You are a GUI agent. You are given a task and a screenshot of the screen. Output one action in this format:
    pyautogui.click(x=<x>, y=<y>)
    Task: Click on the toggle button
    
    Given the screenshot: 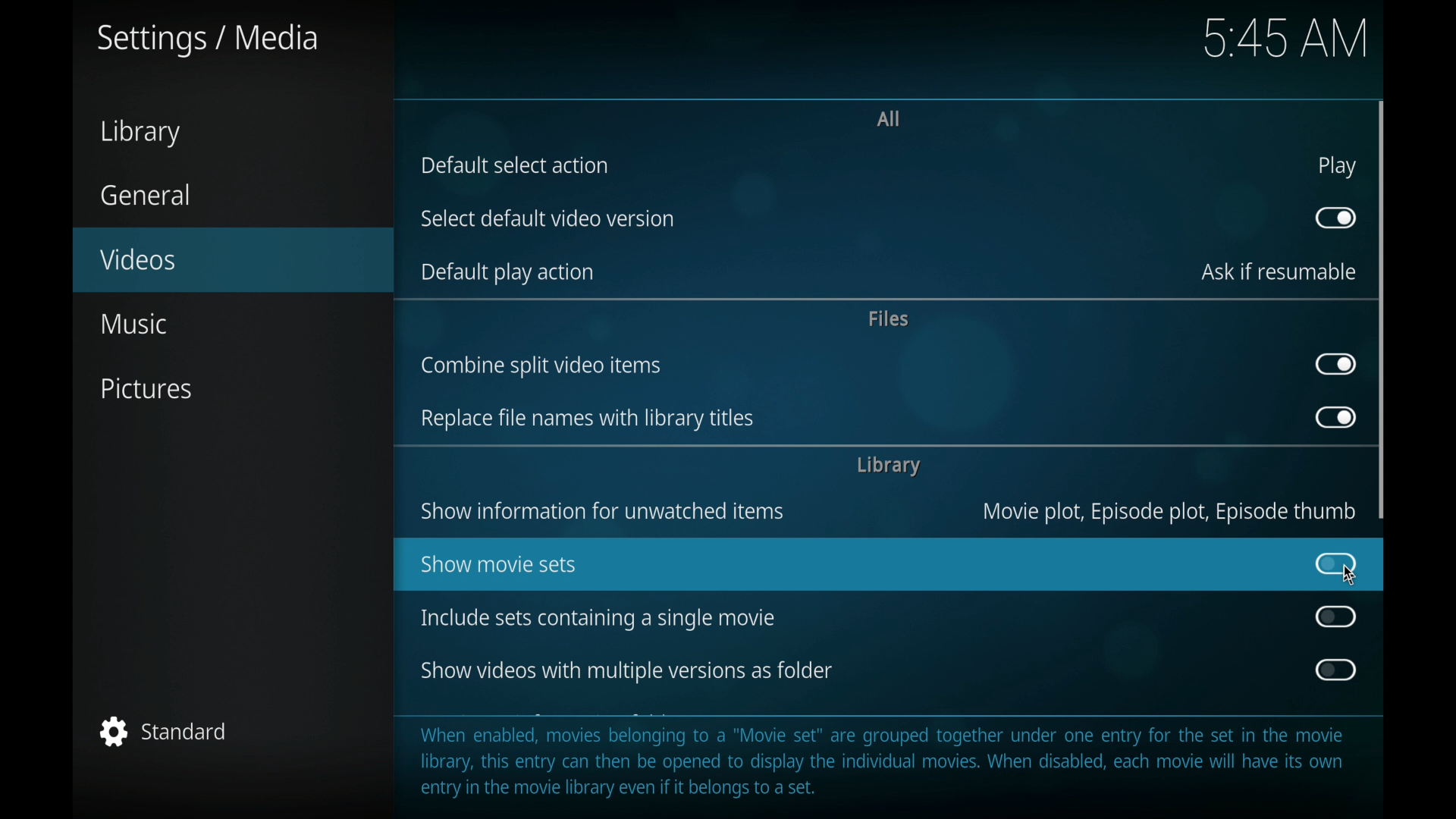 What is the action you would take?
    pyautogui.click(x=1336, y=563)
    